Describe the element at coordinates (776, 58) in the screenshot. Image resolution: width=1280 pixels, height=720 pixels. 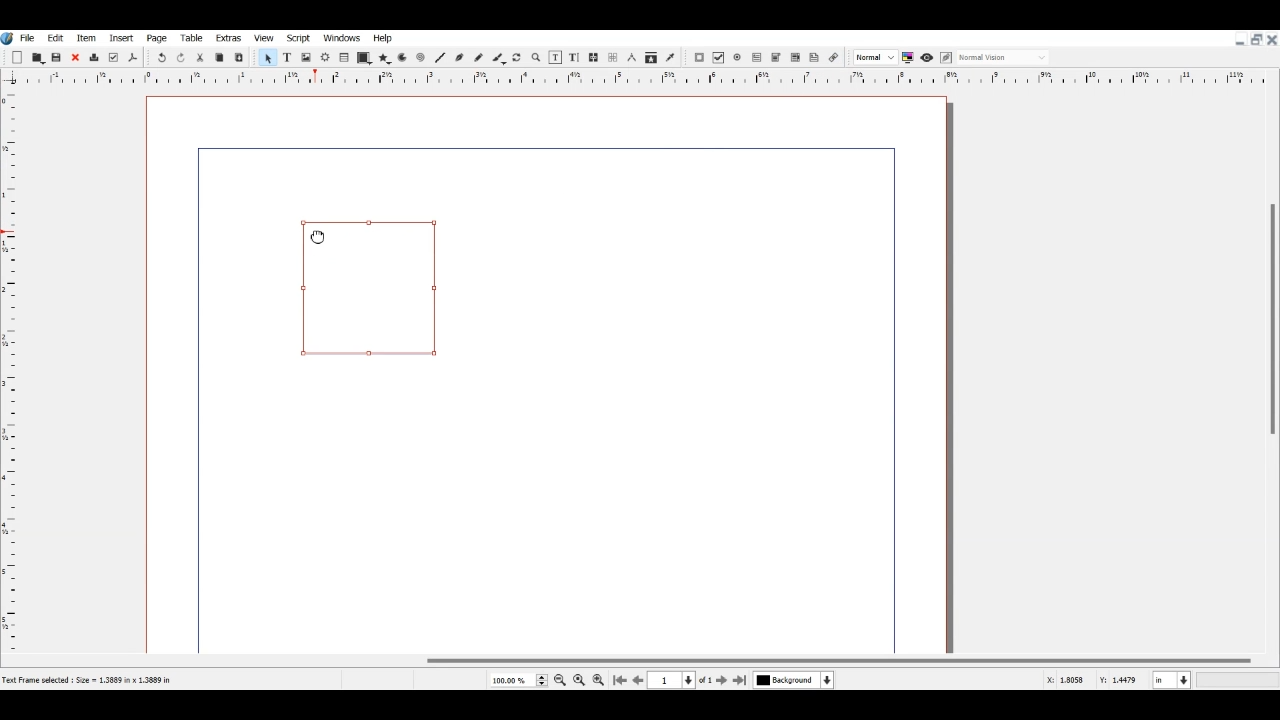
I see `PDF Combo Box` at that location.